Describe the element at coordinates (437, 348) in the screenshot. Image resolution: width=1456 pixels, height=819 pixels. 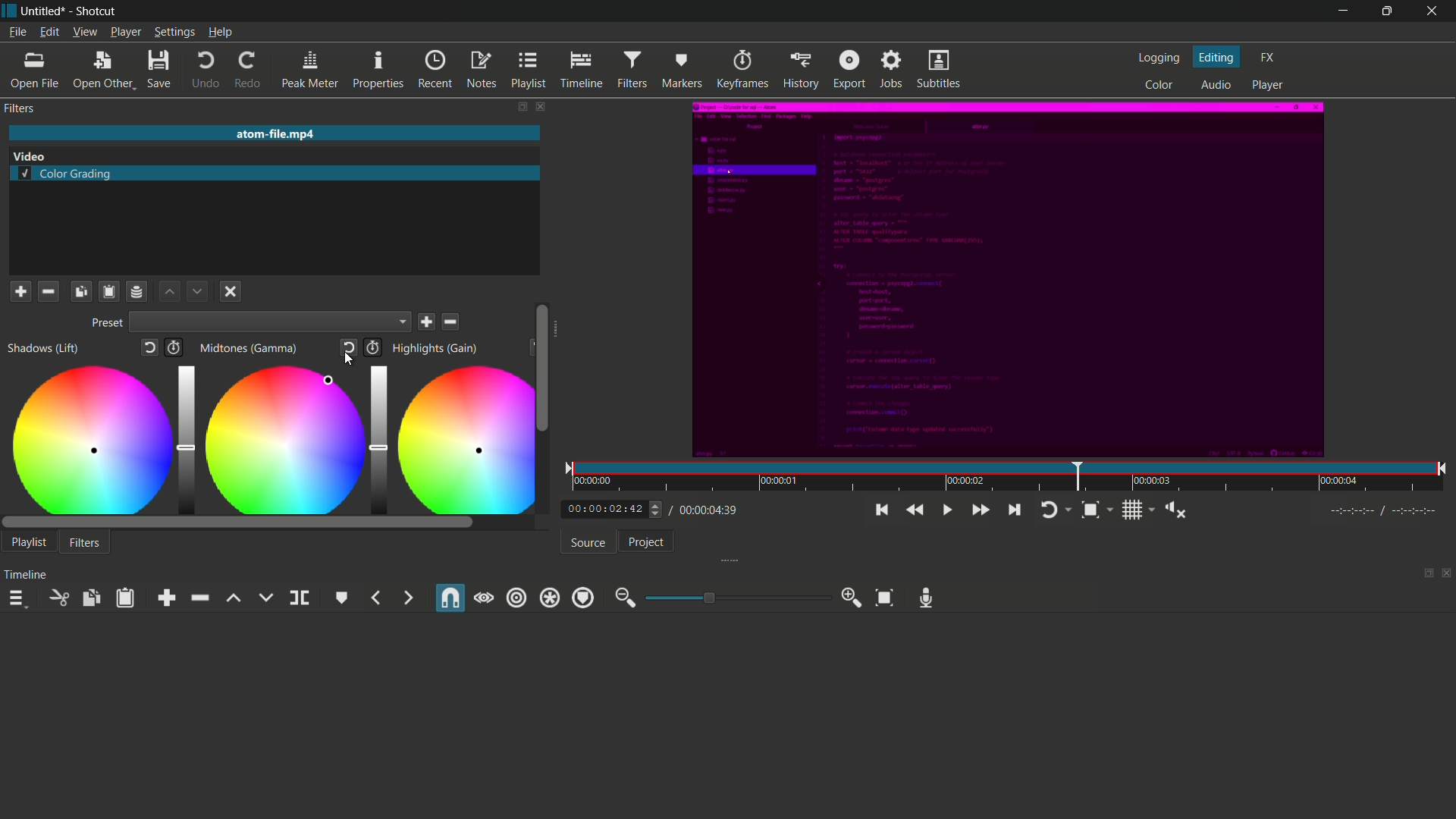
I see `highlights(gain)` at that location.